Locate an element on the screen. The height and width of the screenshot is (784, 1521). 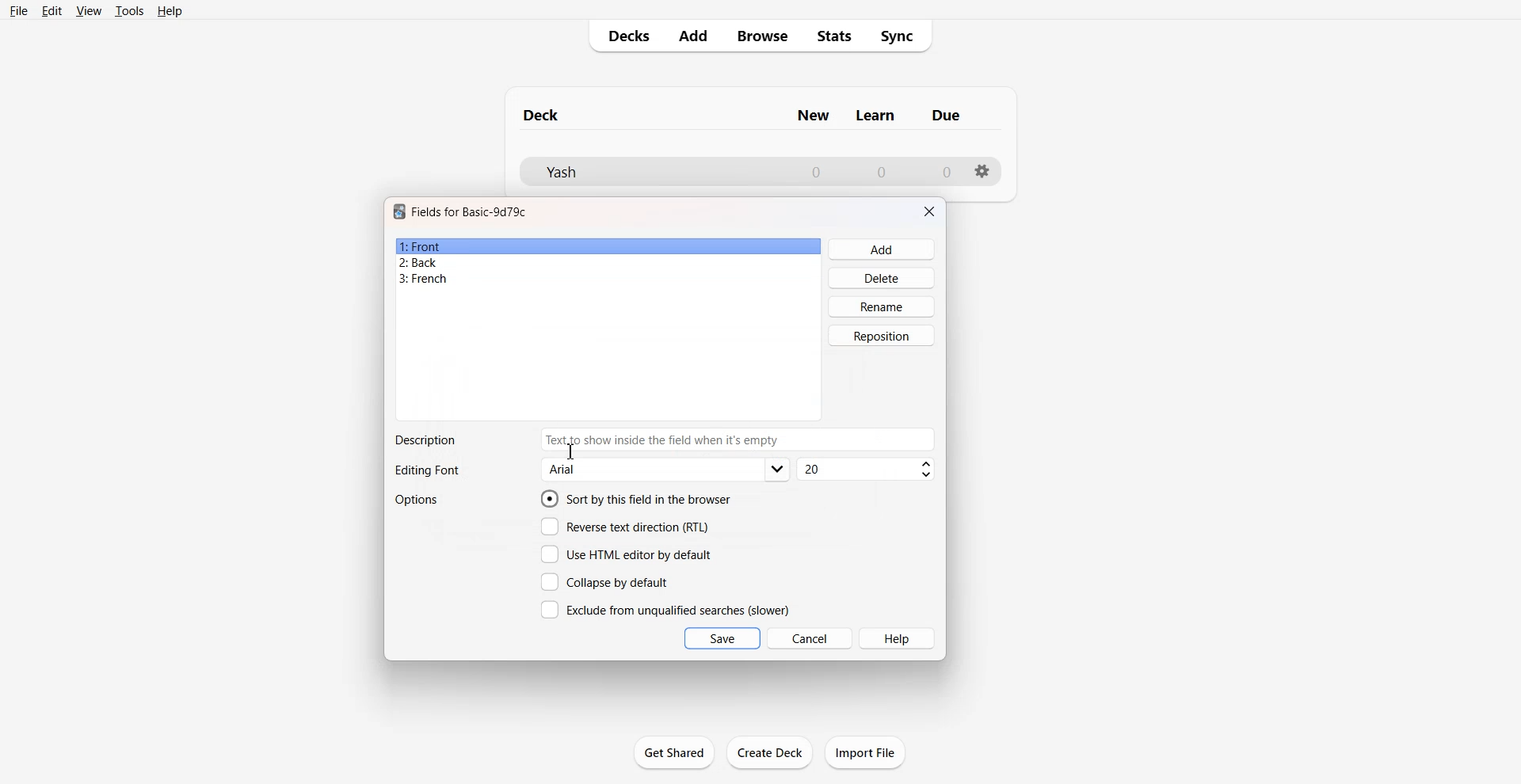
Number of Learn cards is located at coordinates (882, 171).